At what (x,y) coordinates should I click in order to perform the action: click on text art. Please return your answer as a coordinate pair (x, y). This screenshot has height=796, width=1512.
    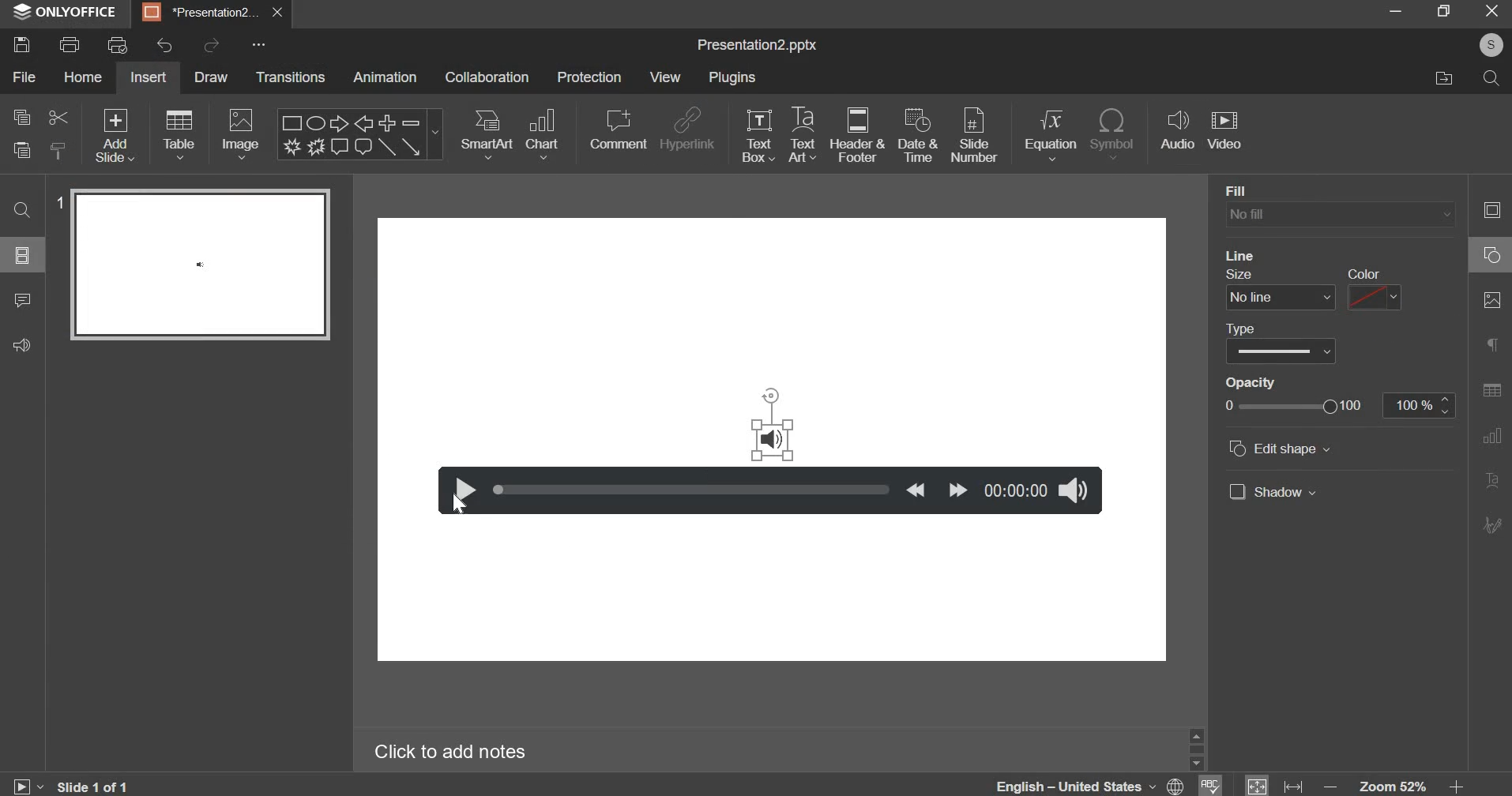
    Looking at the image, I should click on (804, 134).